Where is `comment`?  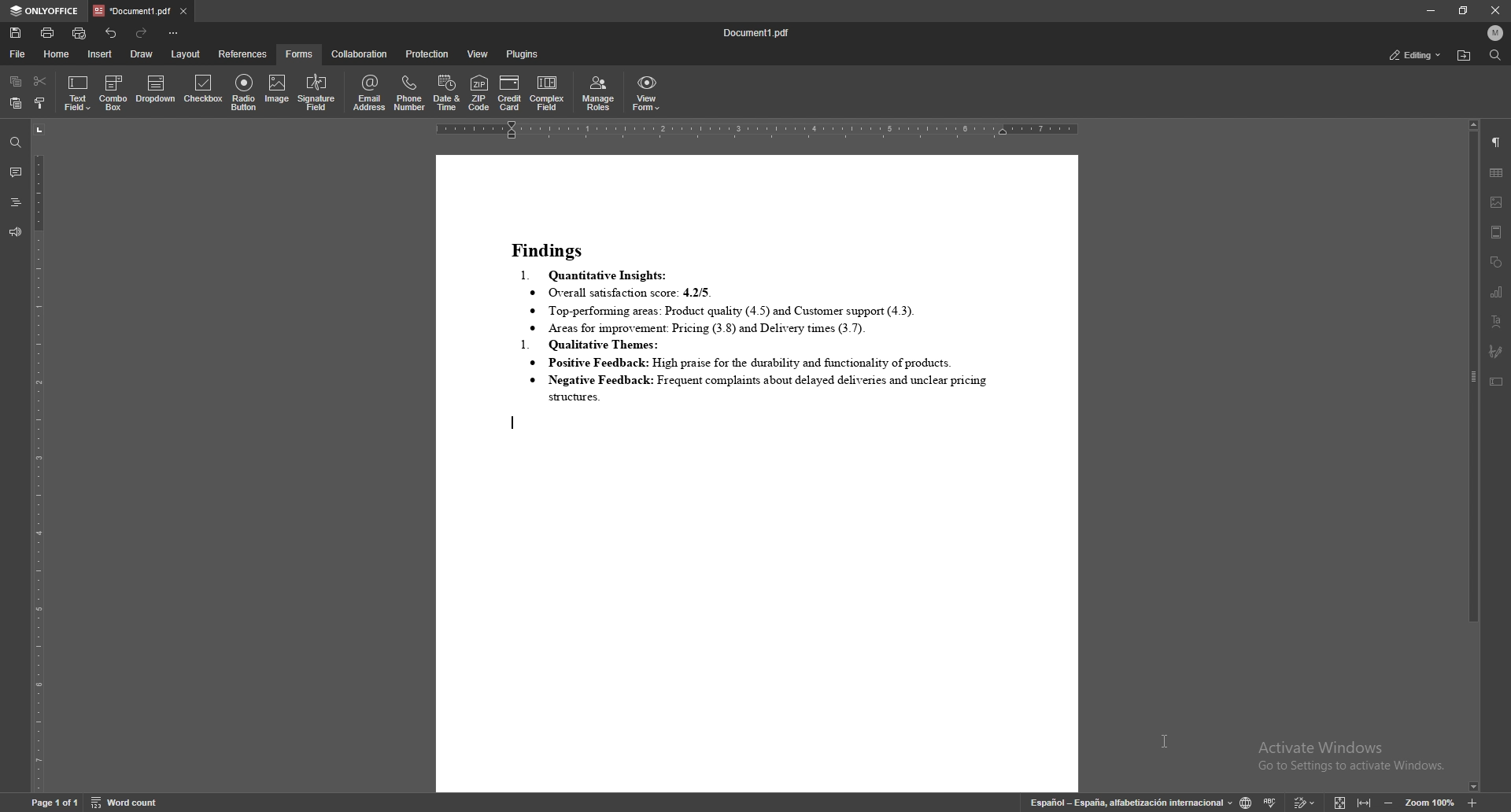 comment is located at coordinates (15, 172).